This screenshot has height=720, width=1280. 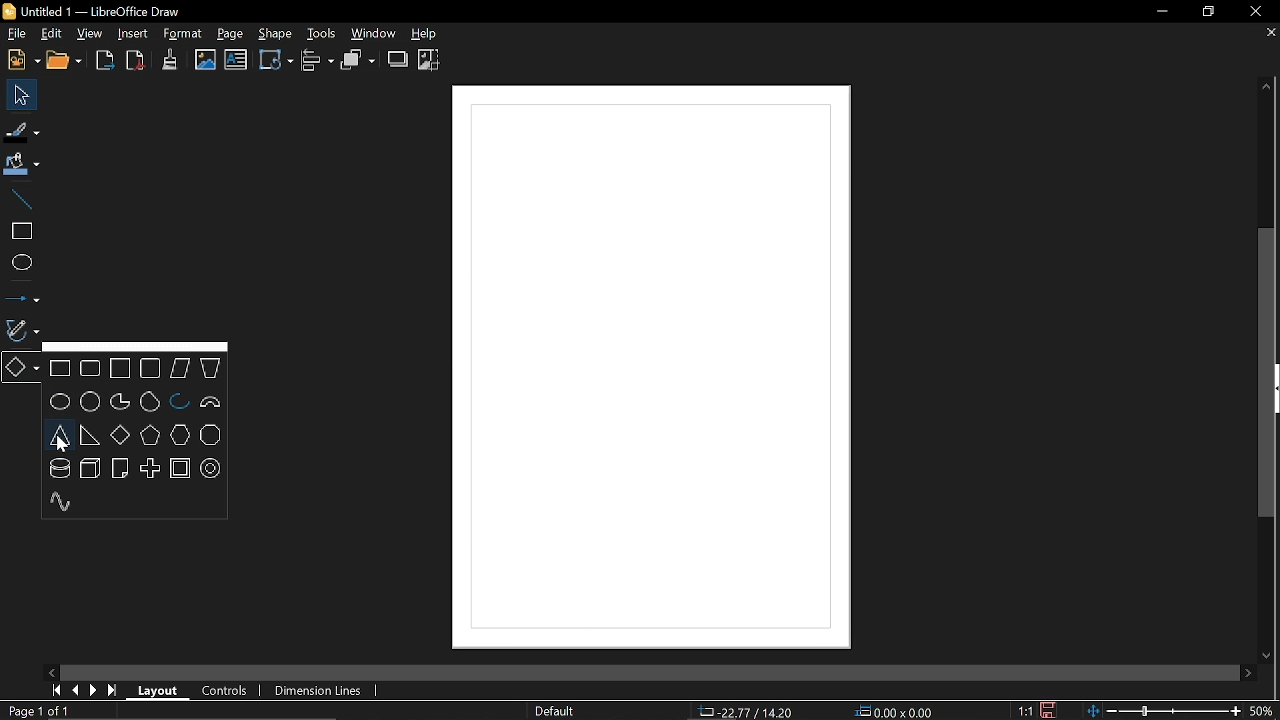 I want to click on Current window, so click(x=100, y=10).